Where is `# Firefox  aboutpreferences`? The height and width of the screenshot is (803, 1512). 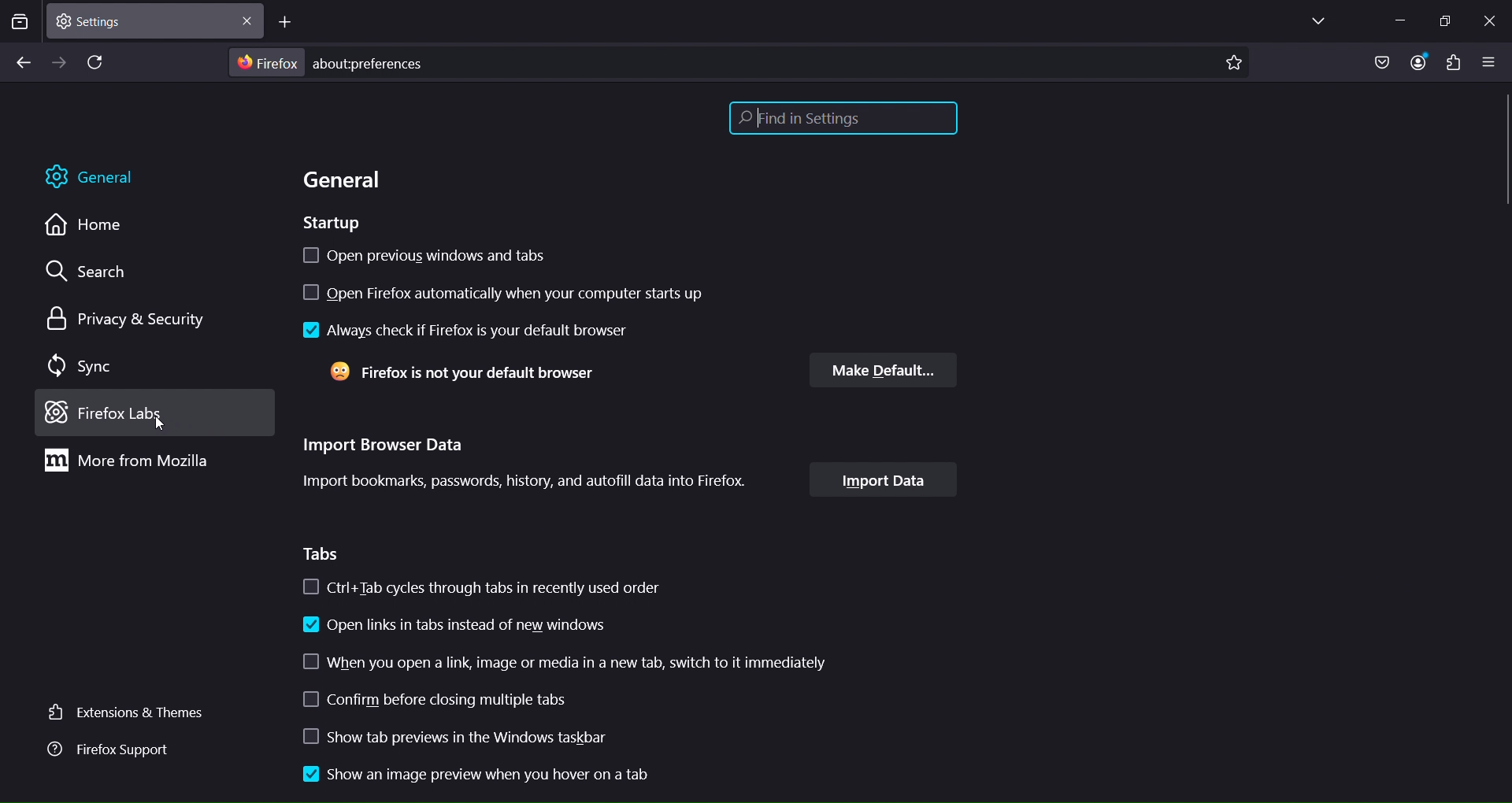 # Firefox  aboutpreferences is located at coordinates (335, 64).